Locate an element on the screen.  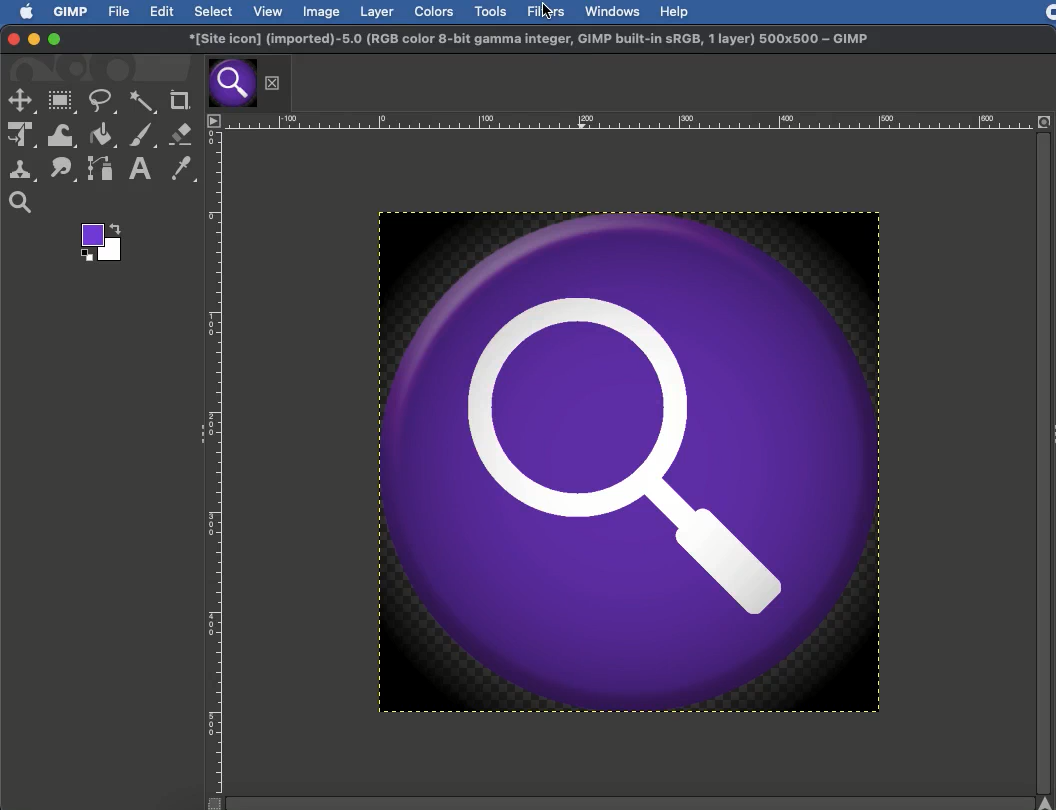
Tools is located at coordinates (491, 12).